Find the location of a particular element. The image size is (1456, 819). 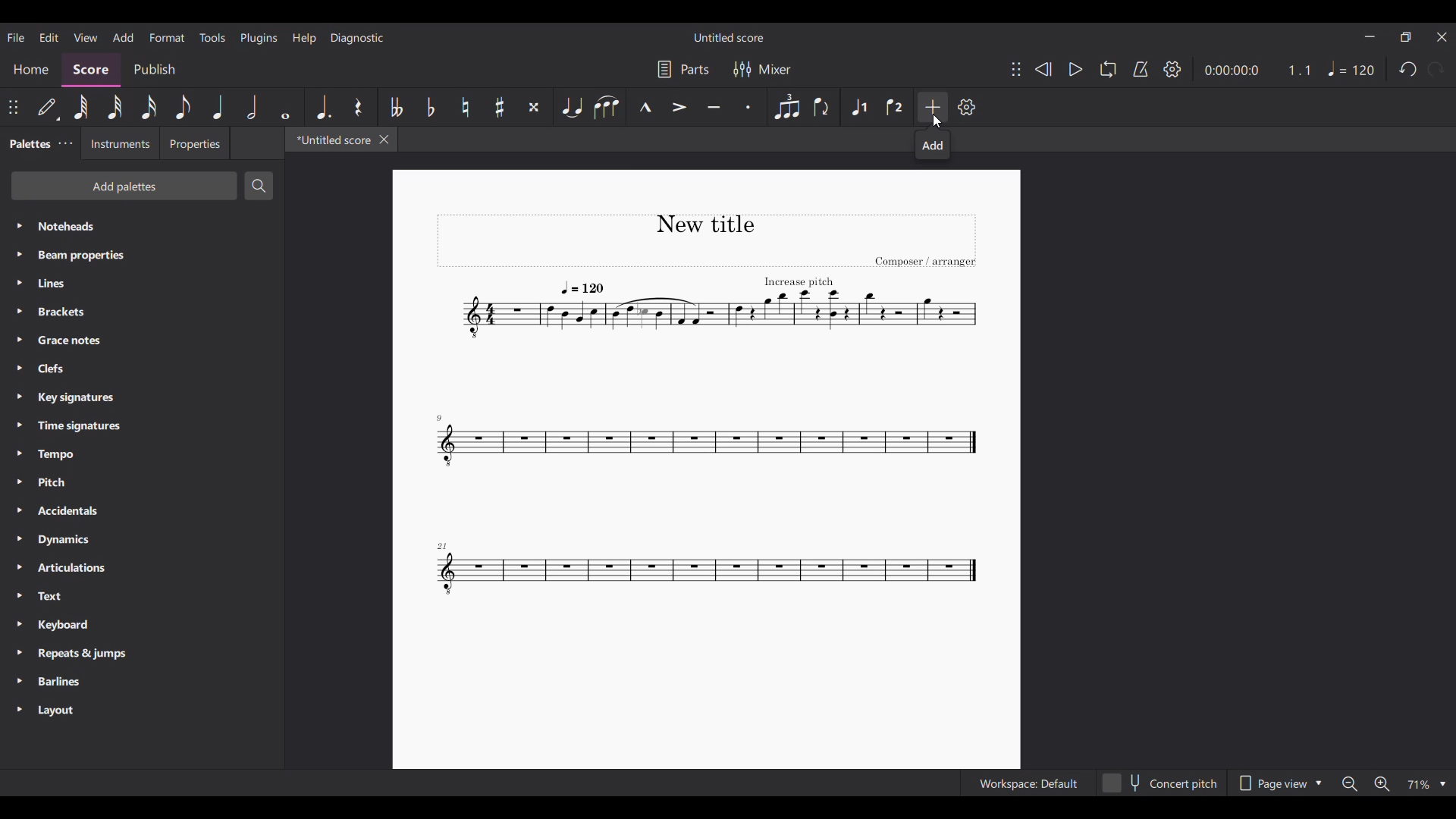

Cursor is located at coordinates (937, 121).